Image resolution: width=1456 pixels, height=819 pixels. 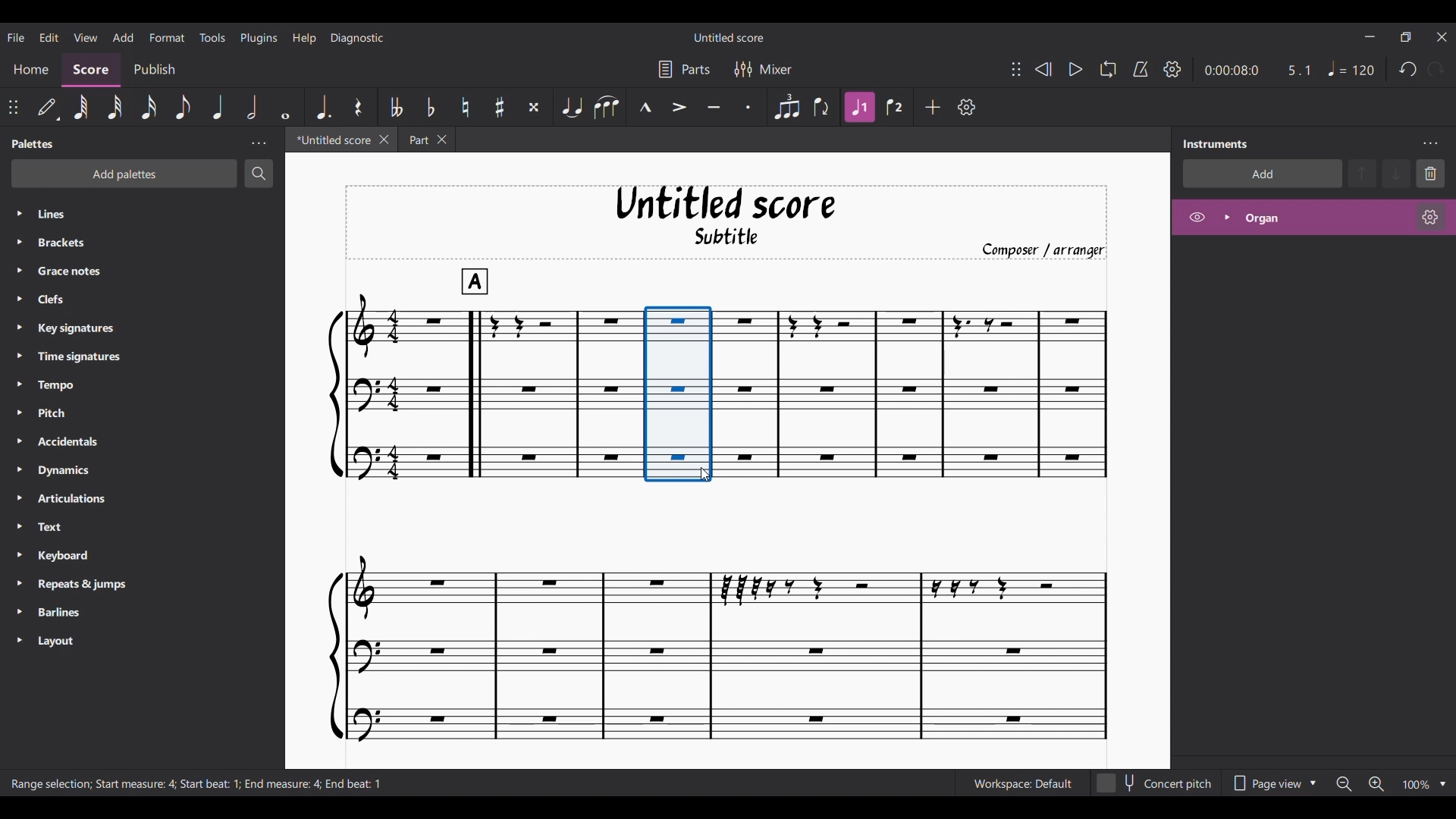 What do you see at coordinates (859, 108) in the screenshot?
I see `Highlighted due to current selection` at bounding box center [859, 108].